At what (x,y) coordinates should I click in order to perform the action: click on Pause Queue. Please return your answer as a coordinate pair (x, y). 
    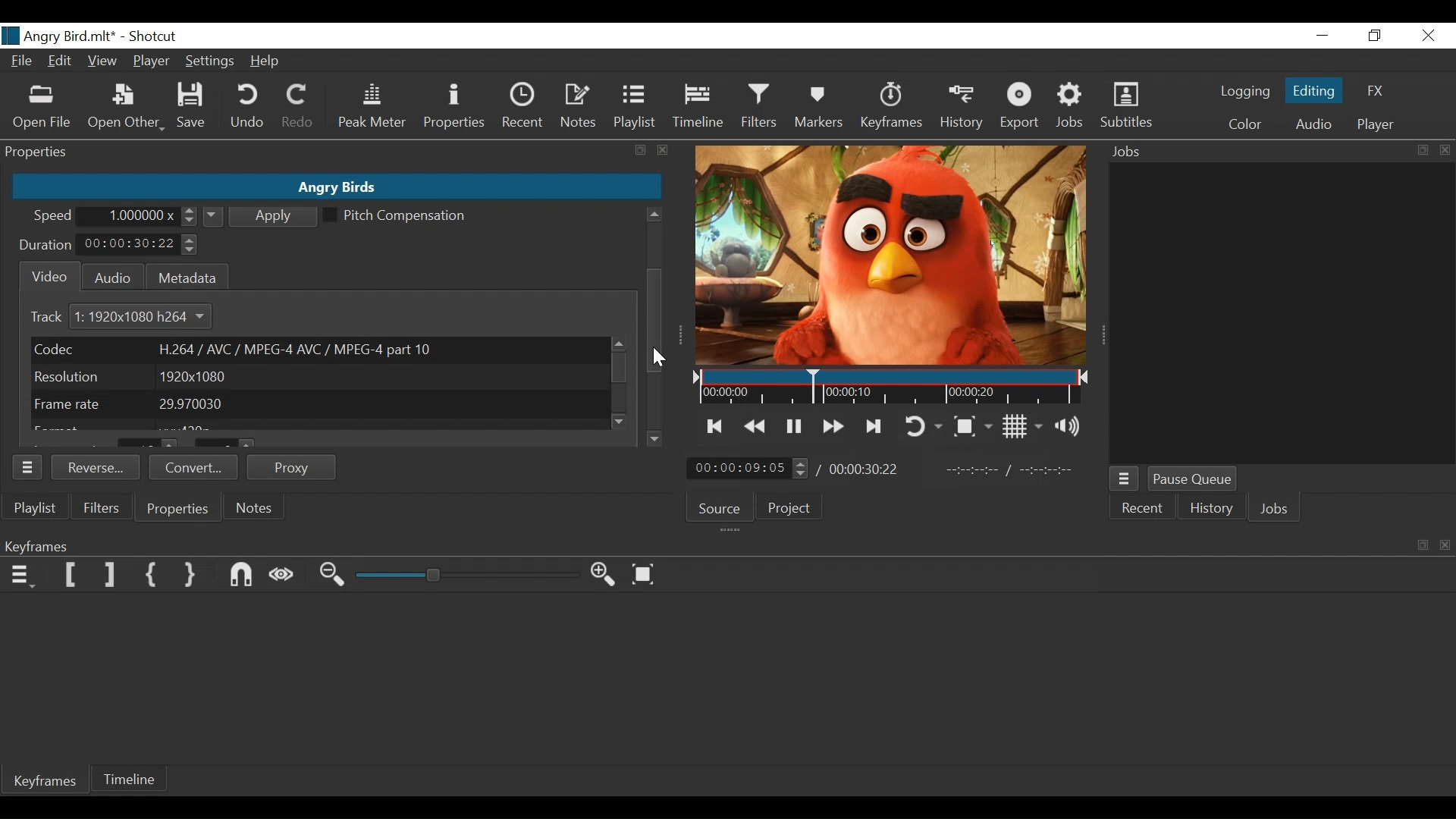
    Looking at the image, I should click on (1193, 479).